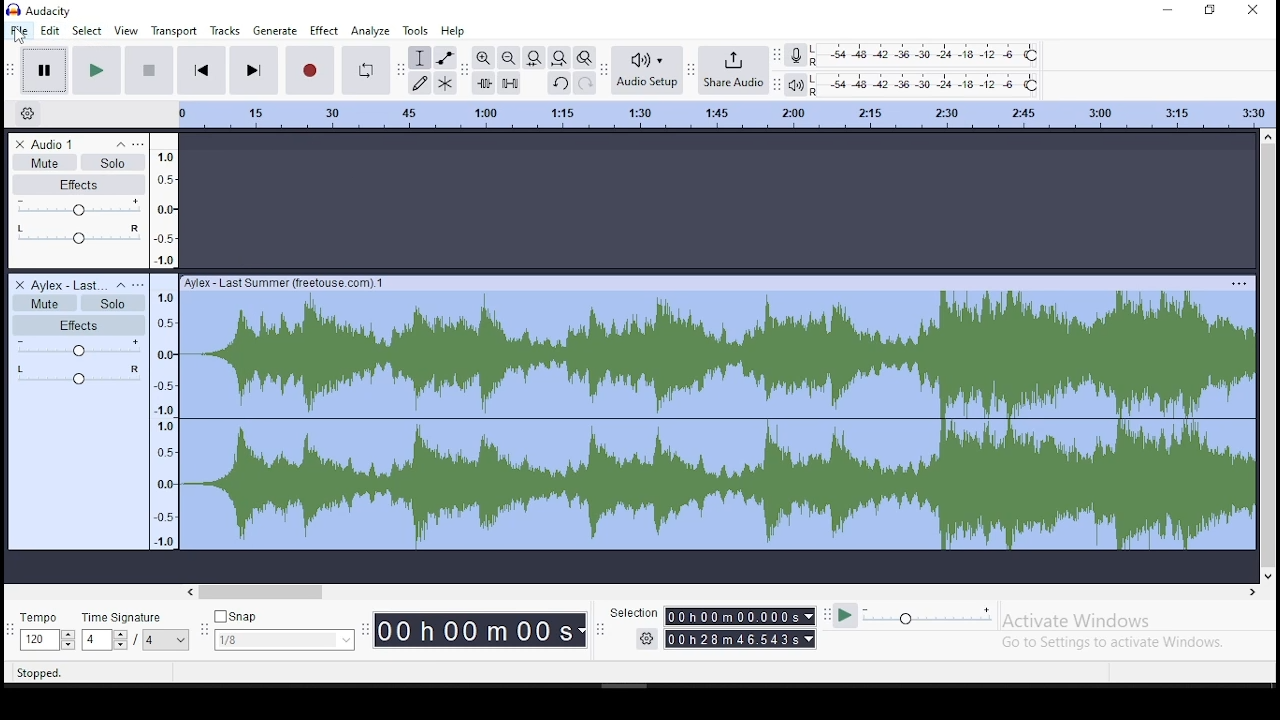 The height and width of the screenshot is (720, 1280). What do you see at coordinates (39, 674) in the screenshot?
I see `Stopped` at bounding box center [39, 674].